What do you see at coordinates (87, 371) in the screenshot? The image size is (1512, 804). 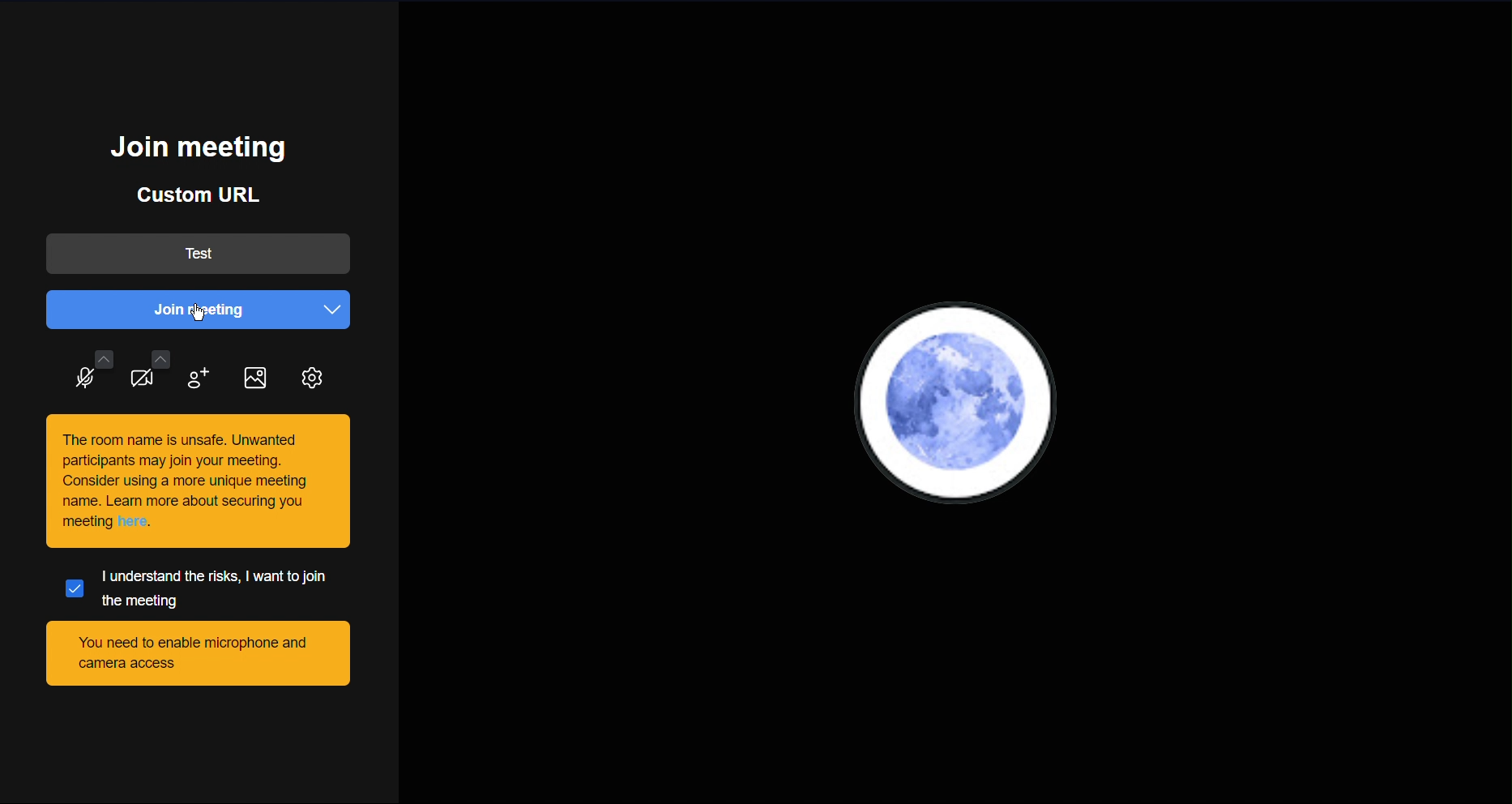 I see `Audio` at bounding box center [87, 371].